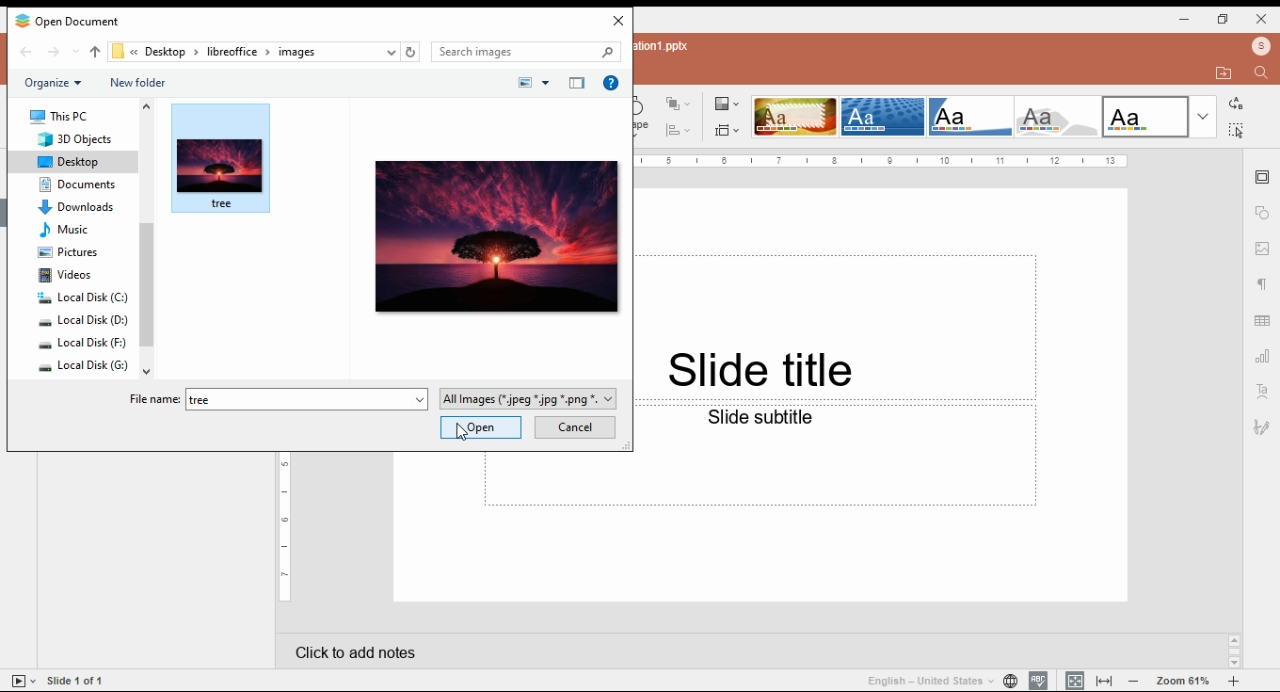  Describe the element at coordinates (1010, 680) in the screenshot. I see `set slide language` at that location.